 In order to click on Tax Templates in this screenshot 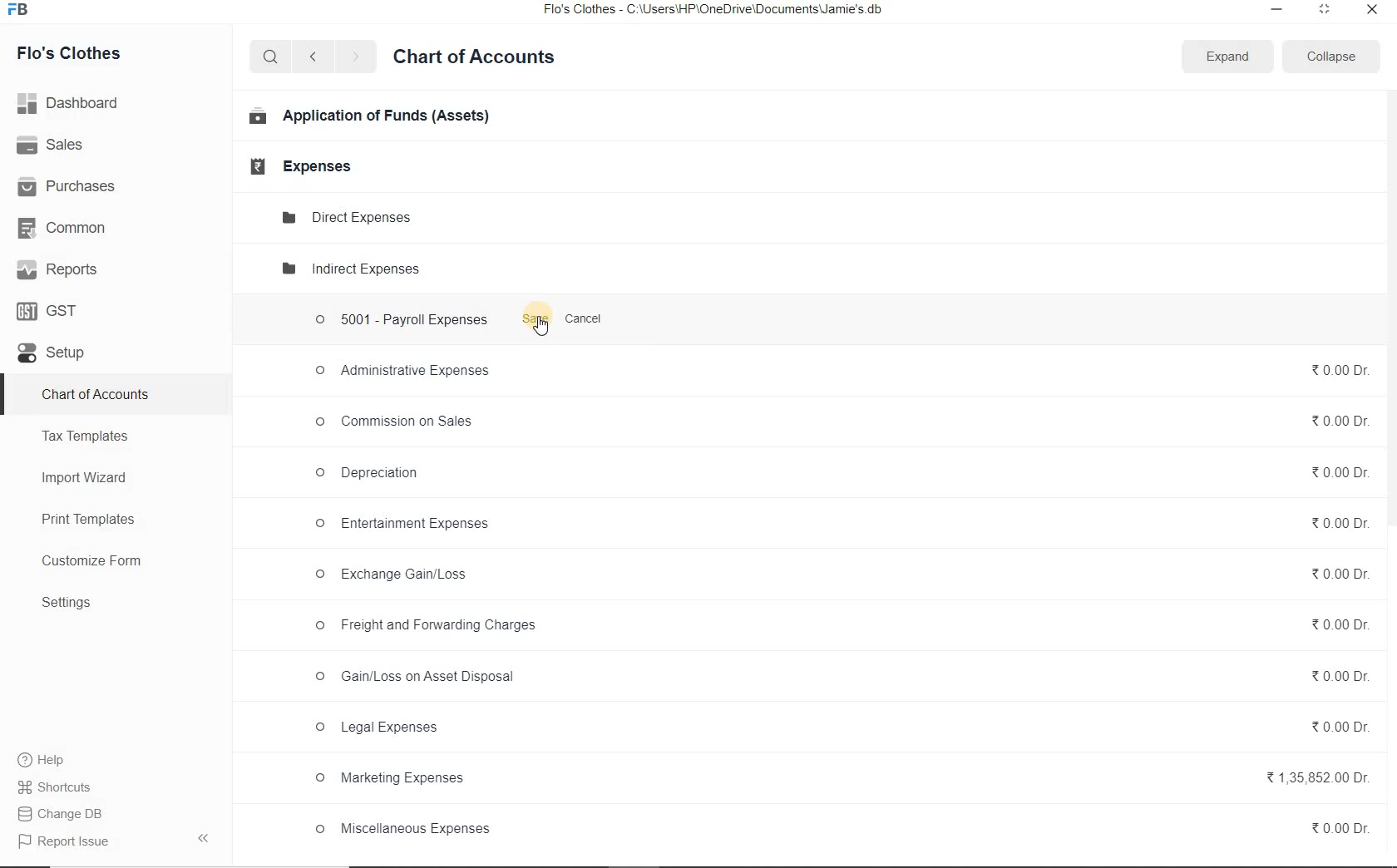, I will do `click(86, 436)`.